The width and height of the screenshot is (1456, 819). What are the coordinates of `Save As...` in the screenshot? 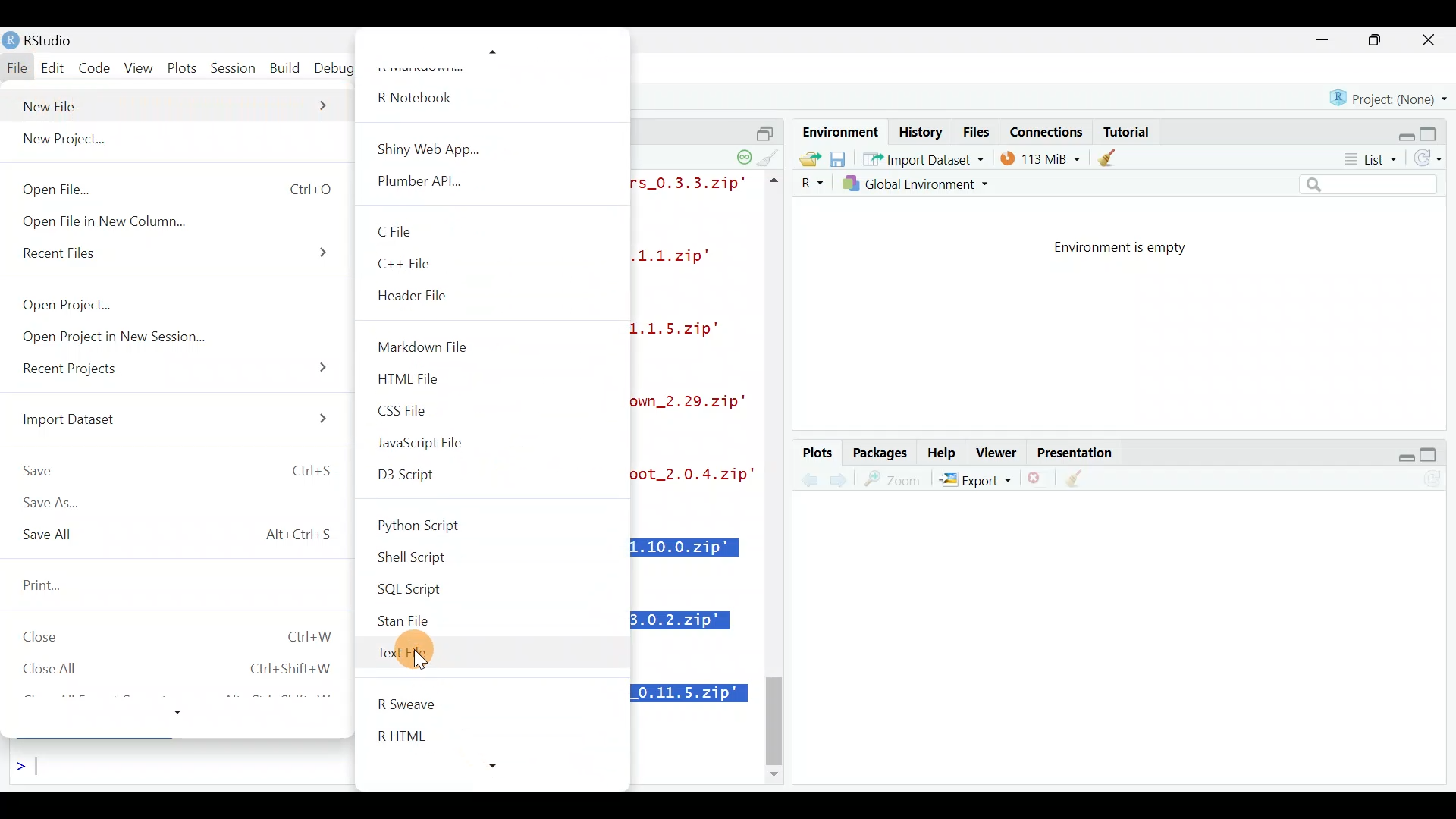 It's located at (69, 506).